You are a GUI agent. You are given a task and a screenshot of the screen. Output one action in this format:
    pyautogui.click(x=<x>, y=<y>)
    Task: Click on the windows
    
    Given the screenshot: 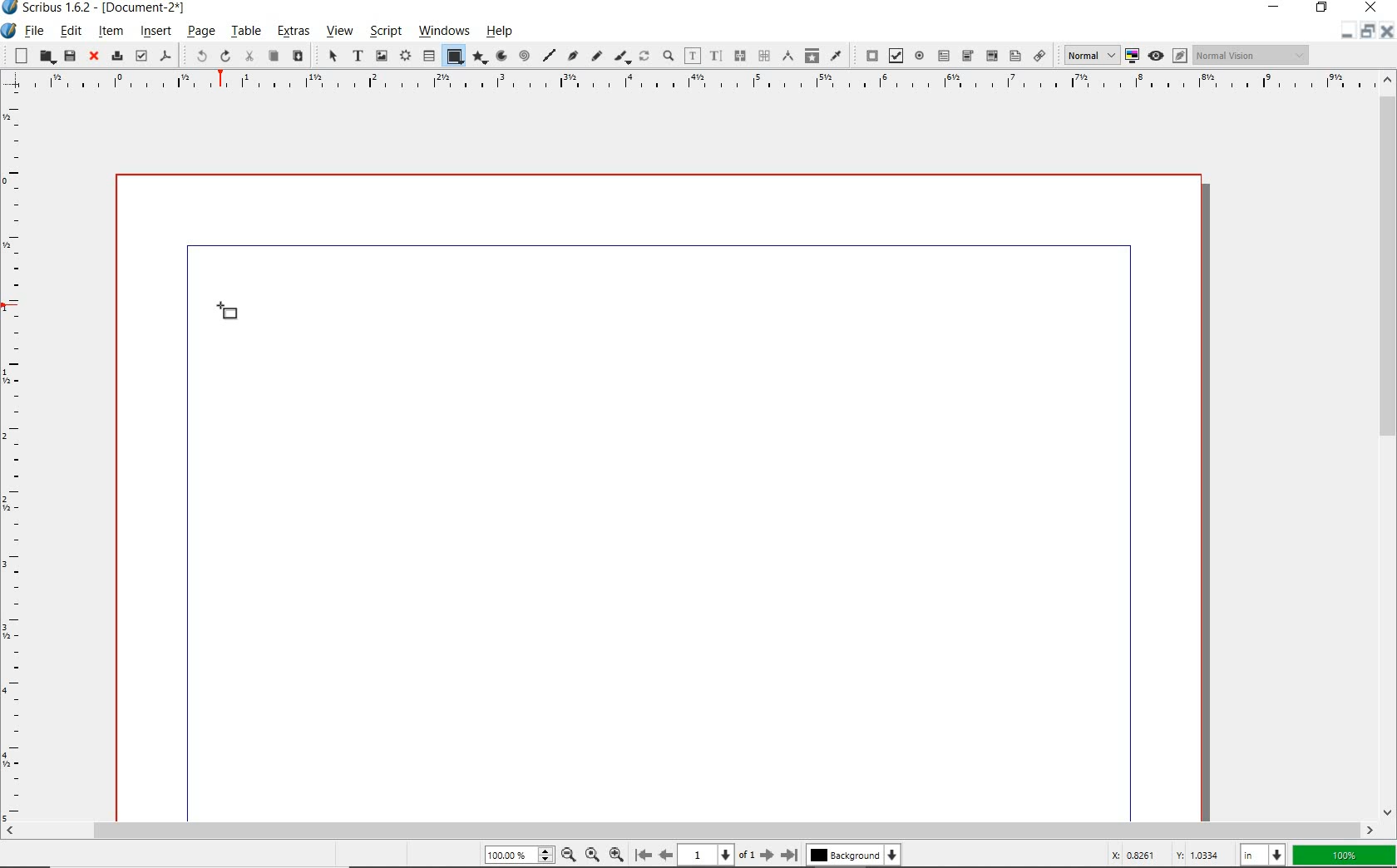 What is the action you would take?
    pyautogui.click(x=445, y=32)
    